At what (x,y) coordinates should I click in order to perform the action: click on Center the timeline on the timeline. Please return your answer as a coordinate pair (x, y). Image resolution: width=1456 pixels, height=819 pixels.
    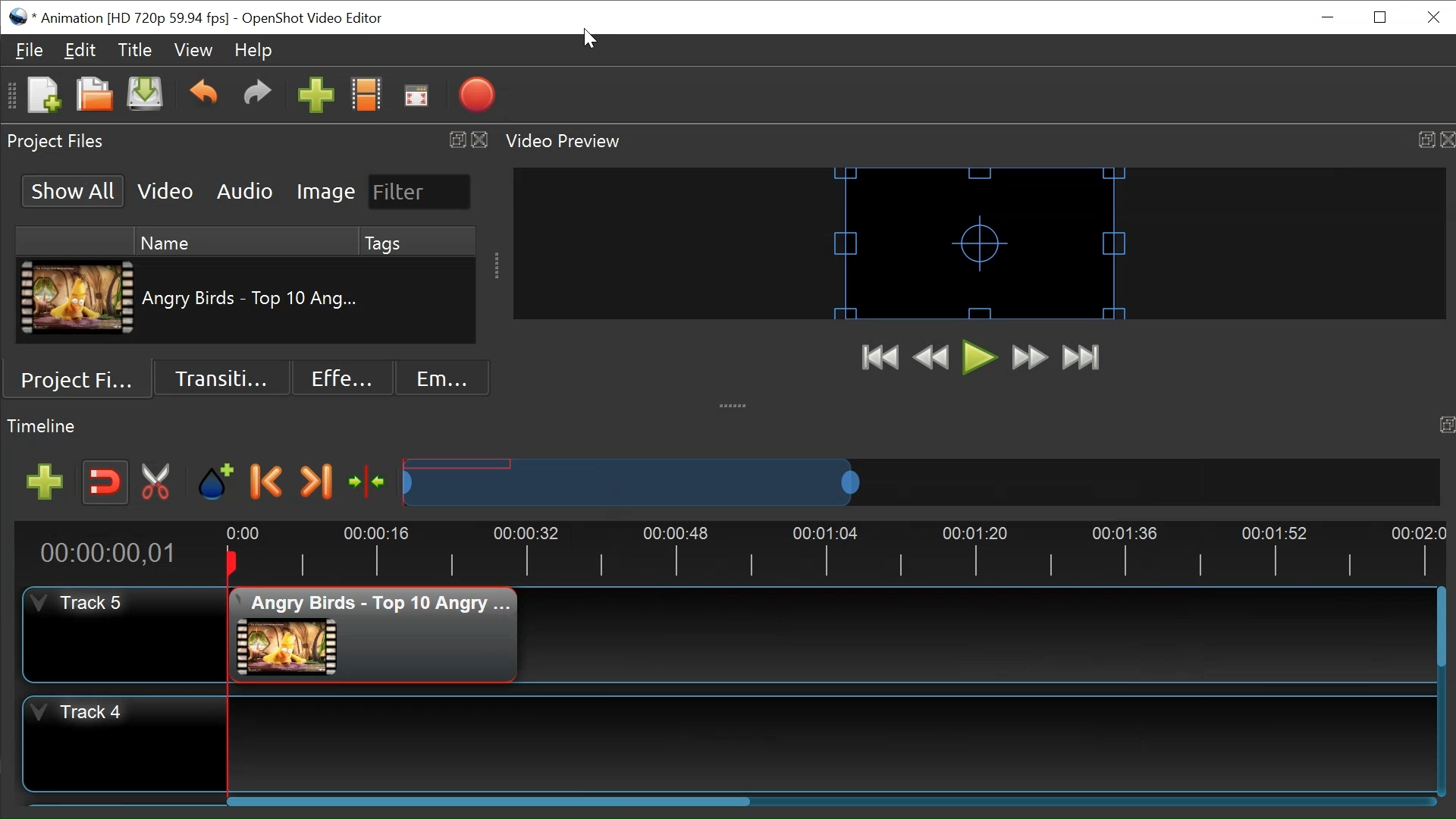
    Looking at the image, I should click on (369, 482).